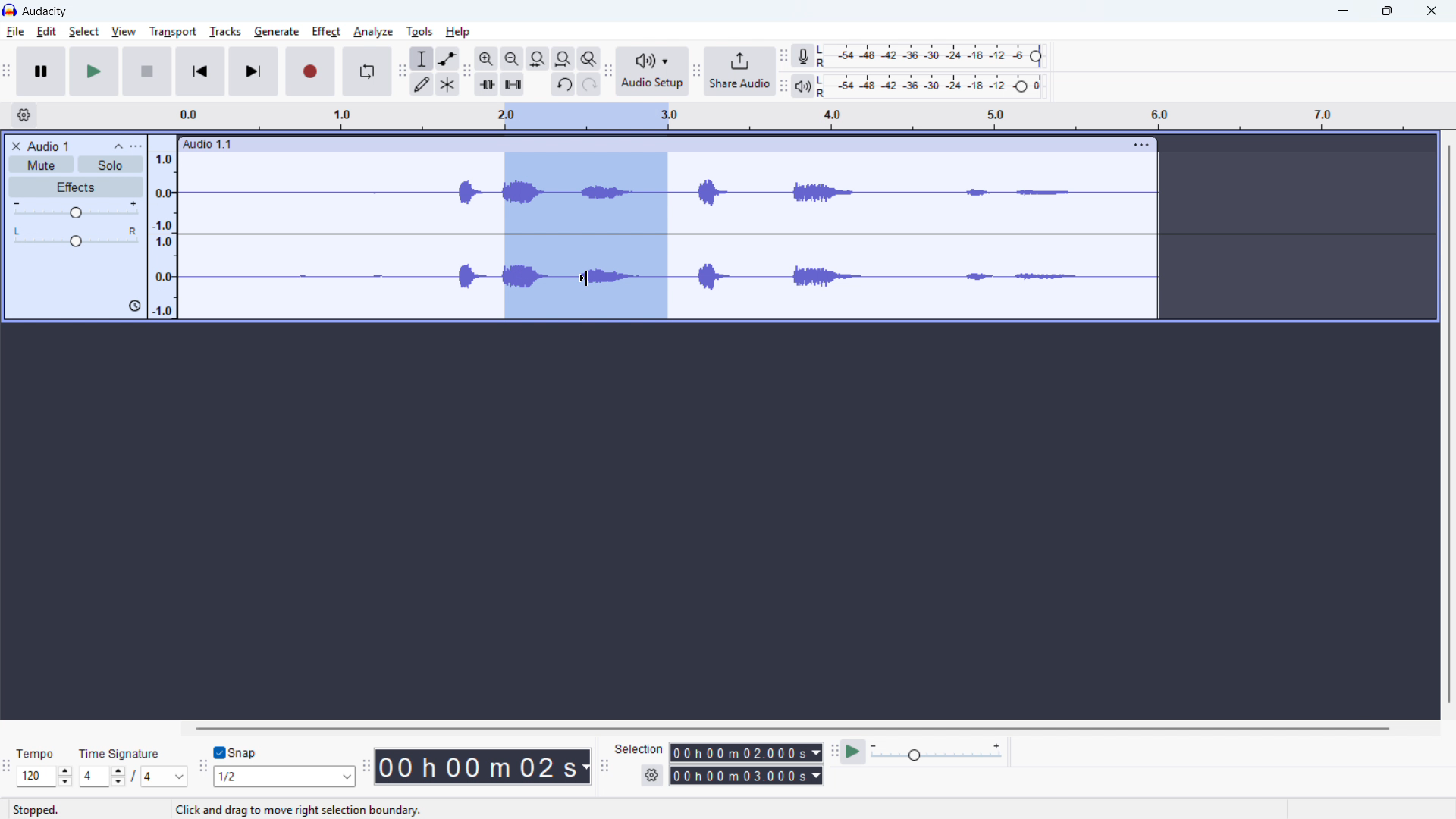 This screenshot has width=1456, height=819. Describe the element at coordinates (226, 31) in the screenshot. I see `Tracks` at that location.